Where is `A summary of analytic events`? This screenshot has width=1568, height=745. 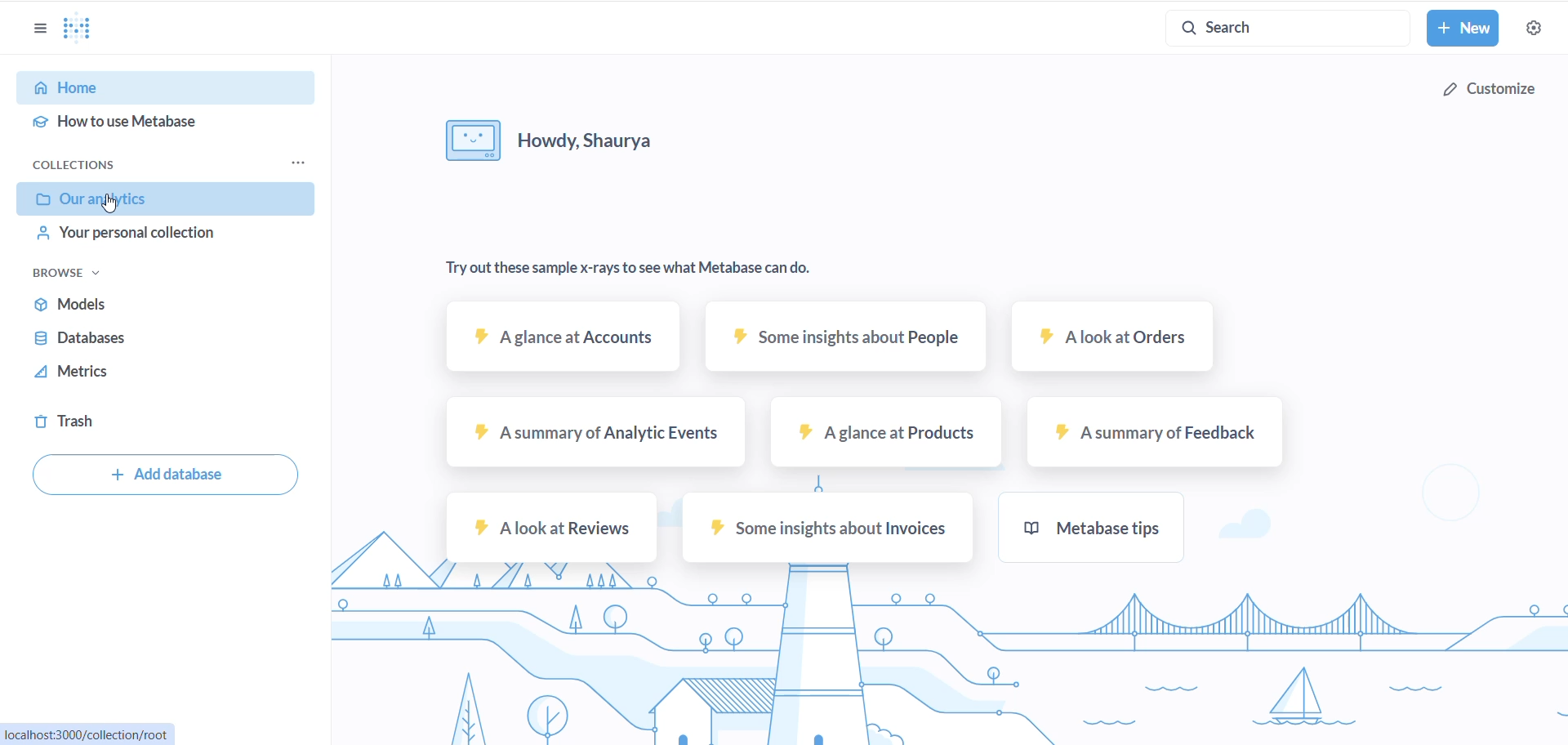
A summary of analytic events is located at coordinates (582, 435).